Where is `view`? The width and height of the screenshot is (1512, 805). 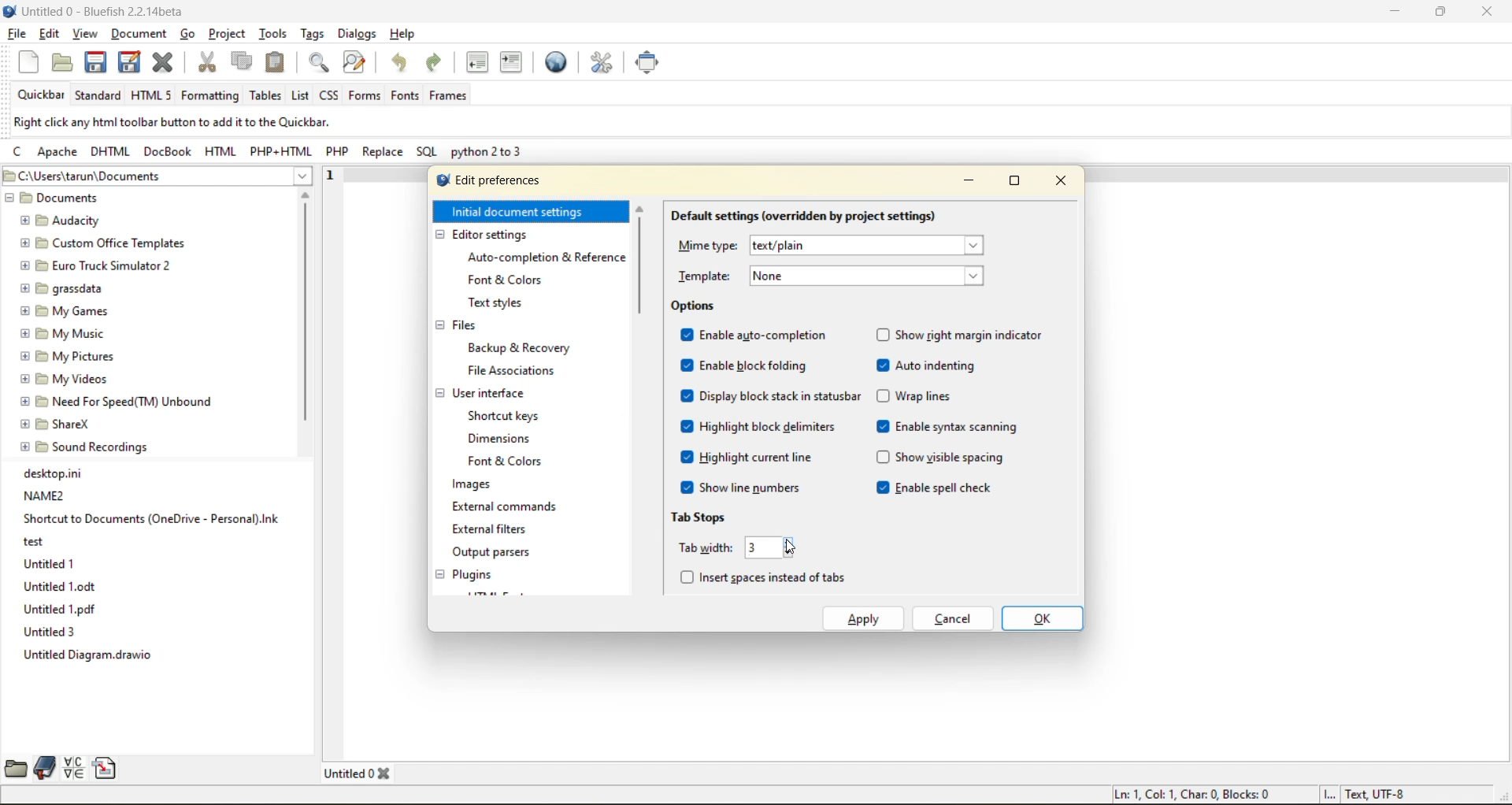
view is located at coordinates (85, 35).